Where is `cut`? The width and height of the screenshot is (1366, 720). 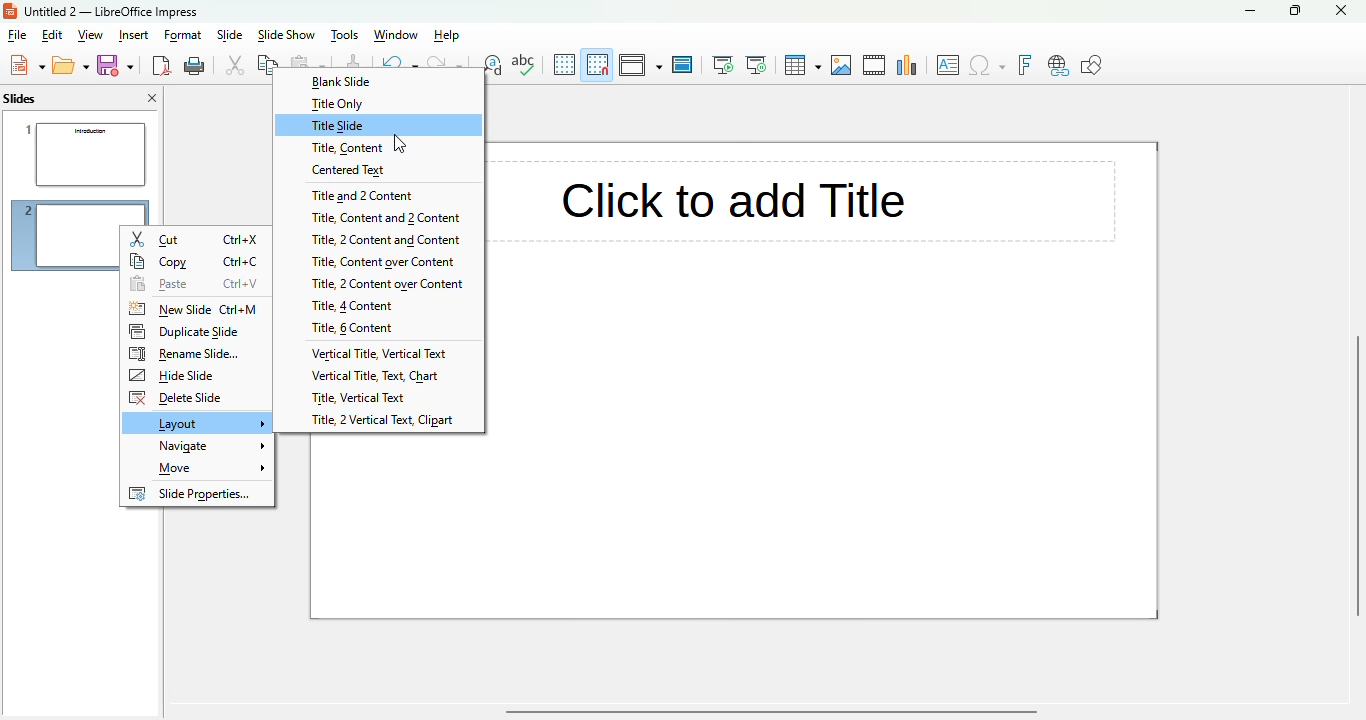 cut is located at coordinates (235, 65).